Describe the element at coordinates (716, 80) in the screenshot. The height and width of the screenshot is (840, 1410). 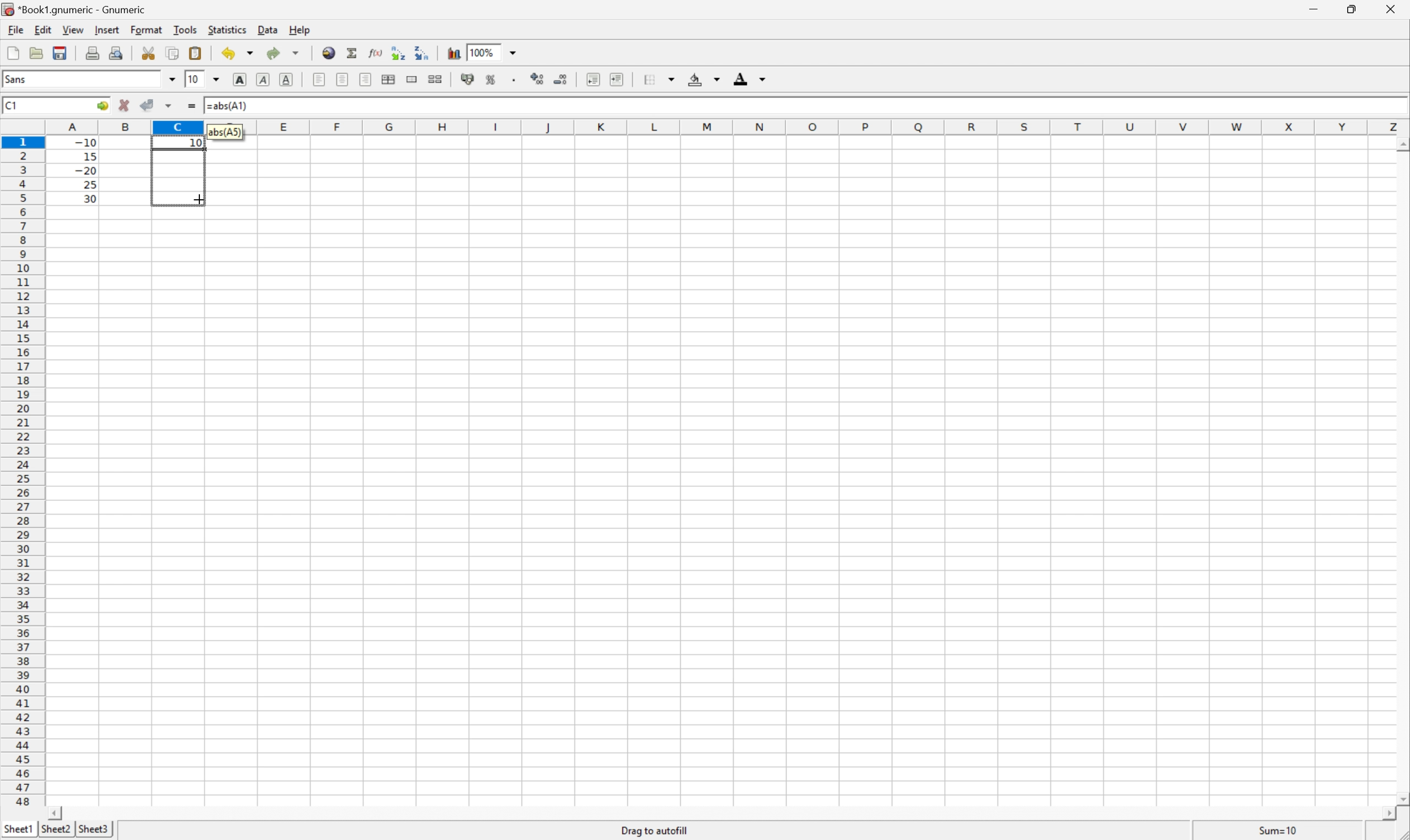
I see `Drop Down` at that location.